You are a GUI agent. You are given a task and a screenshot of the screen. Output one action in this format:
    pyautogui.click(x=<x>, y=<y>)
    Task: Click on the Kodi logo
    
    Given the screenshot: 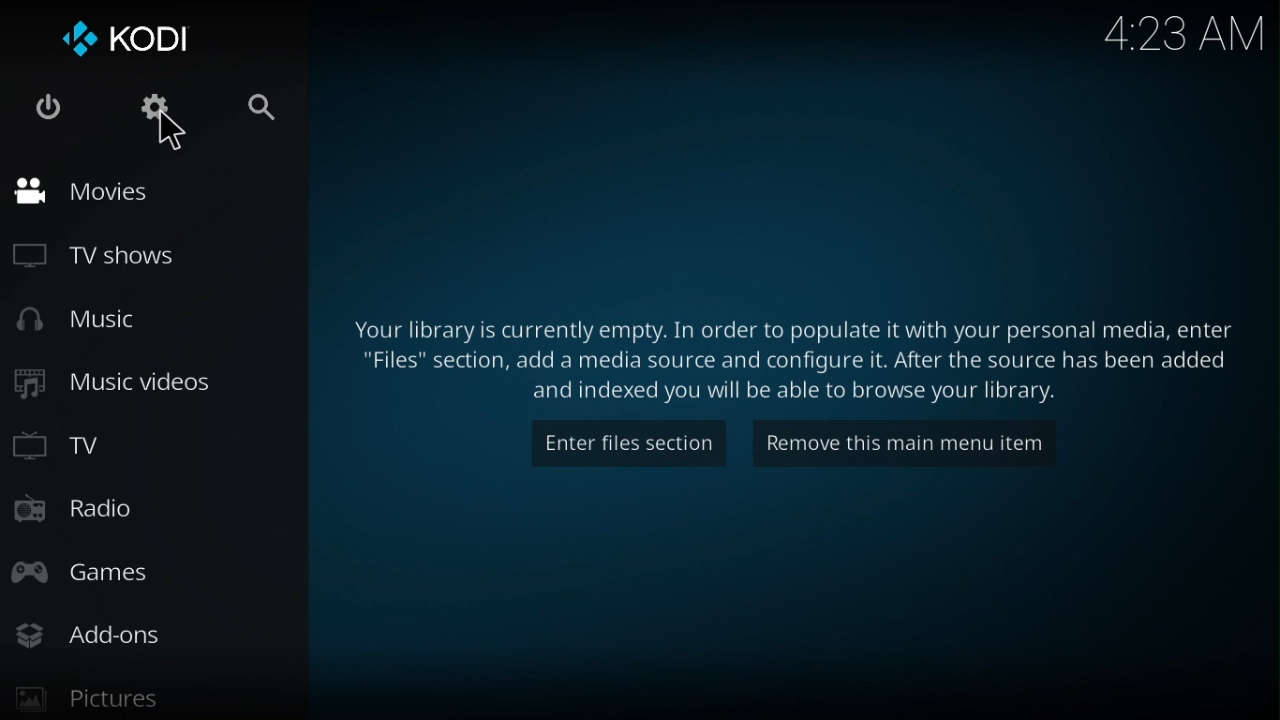 What is the action you would take?
    pyautogui.click(x=119, y=39)
    